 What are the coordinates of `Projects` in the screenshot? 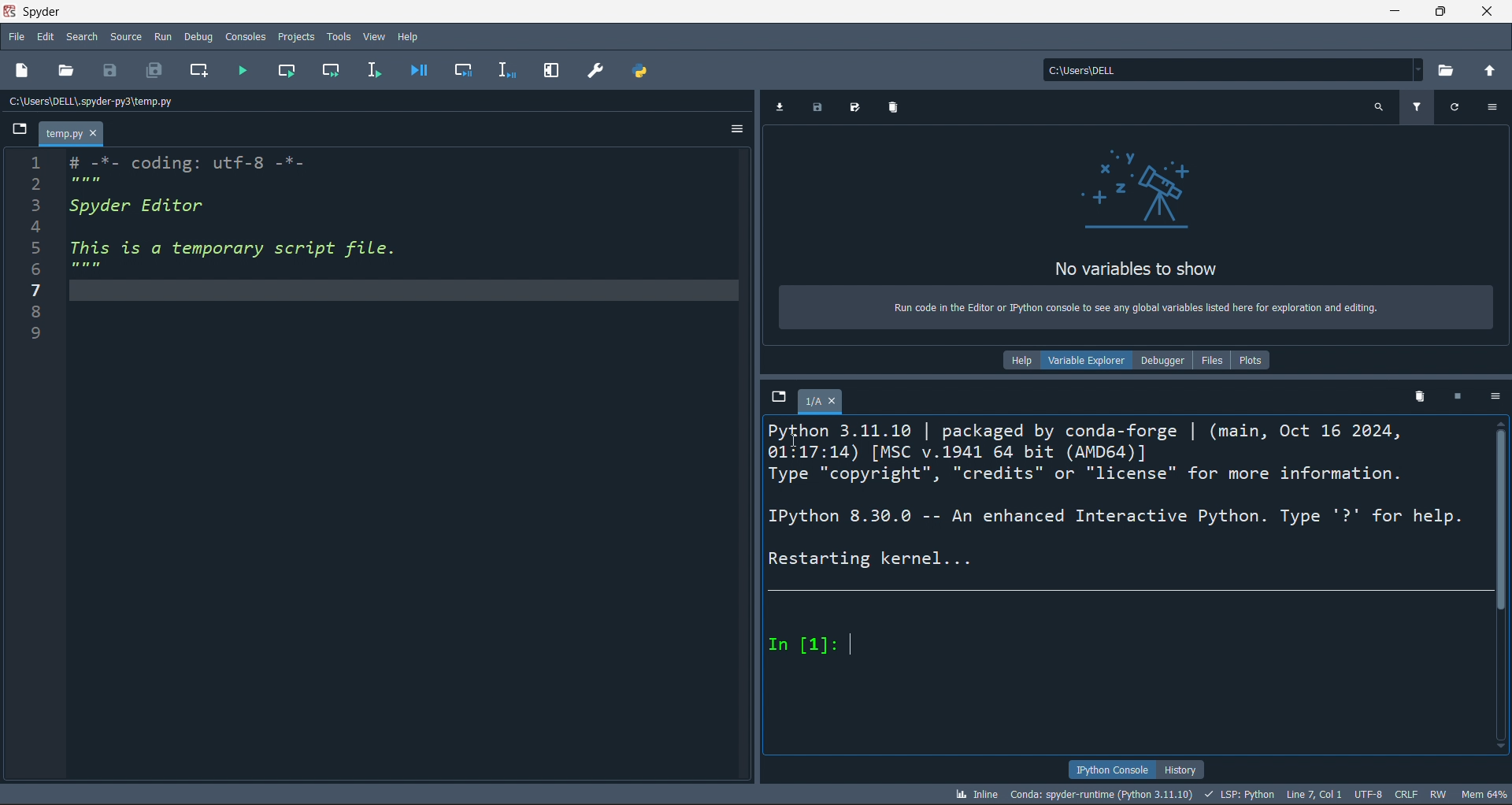 It's located at (298, 37).